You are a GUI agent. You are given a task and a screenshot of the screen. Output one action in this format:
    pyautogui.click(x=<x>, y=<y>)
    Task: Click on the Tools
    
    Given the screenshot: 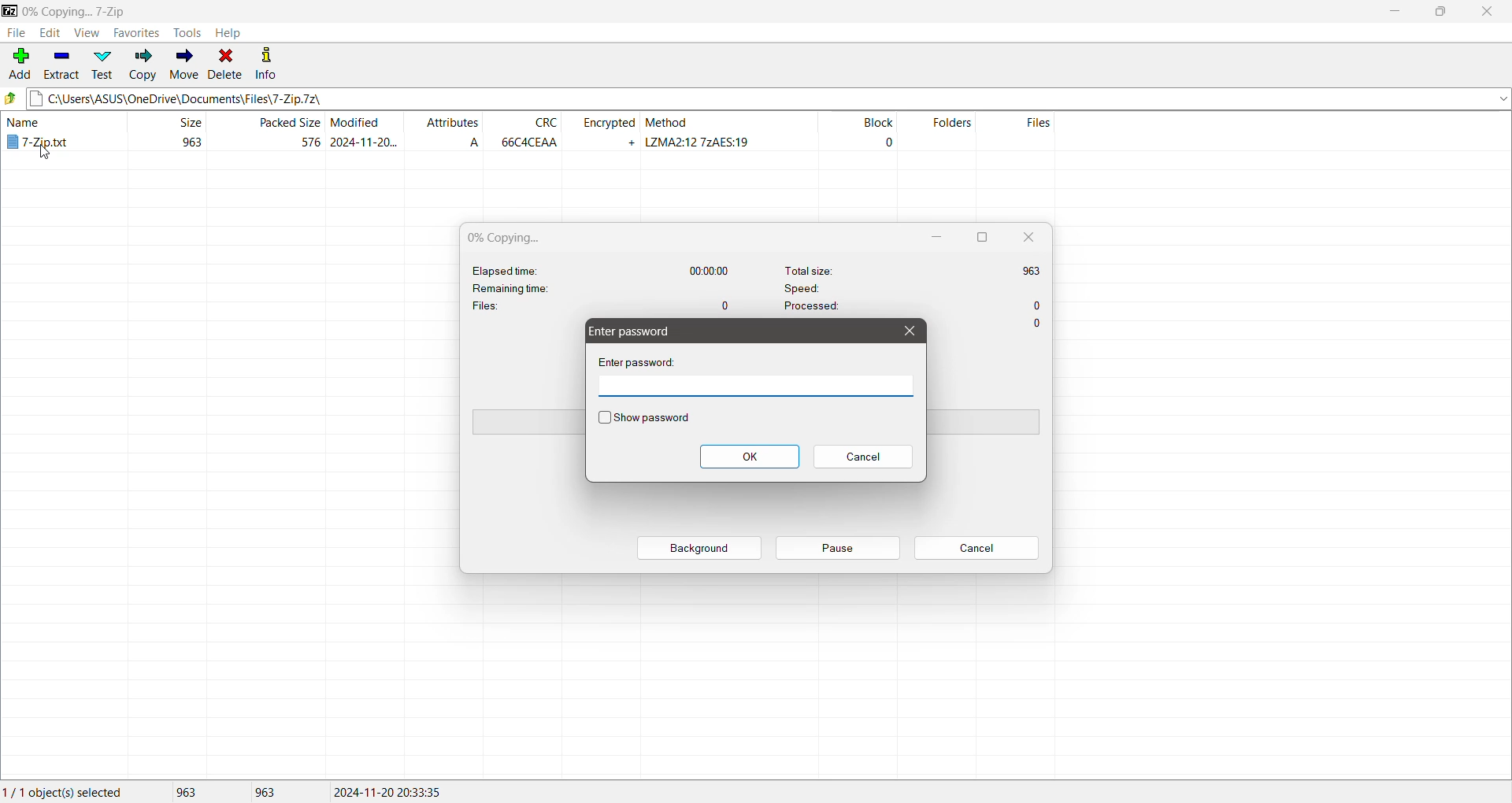 What is the action you would take?
    pyautogui.click(x=189, y=31)
    